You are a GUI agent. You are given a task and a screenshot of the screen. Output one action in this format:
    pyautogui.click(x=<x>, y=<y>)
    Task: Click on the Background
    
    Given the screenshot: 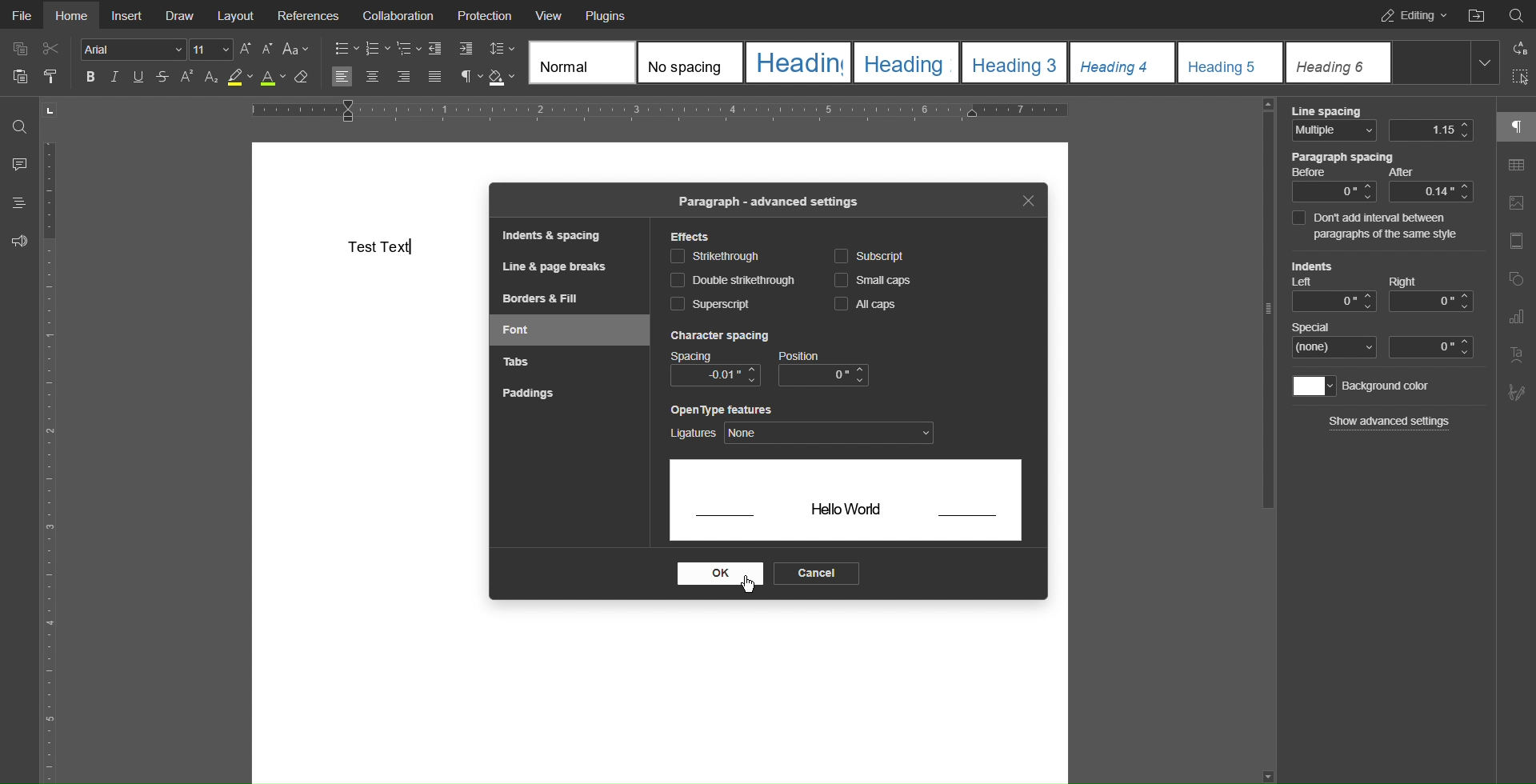 What is the action you would take?
    pyautogui.click(x=1364, y=386)
    